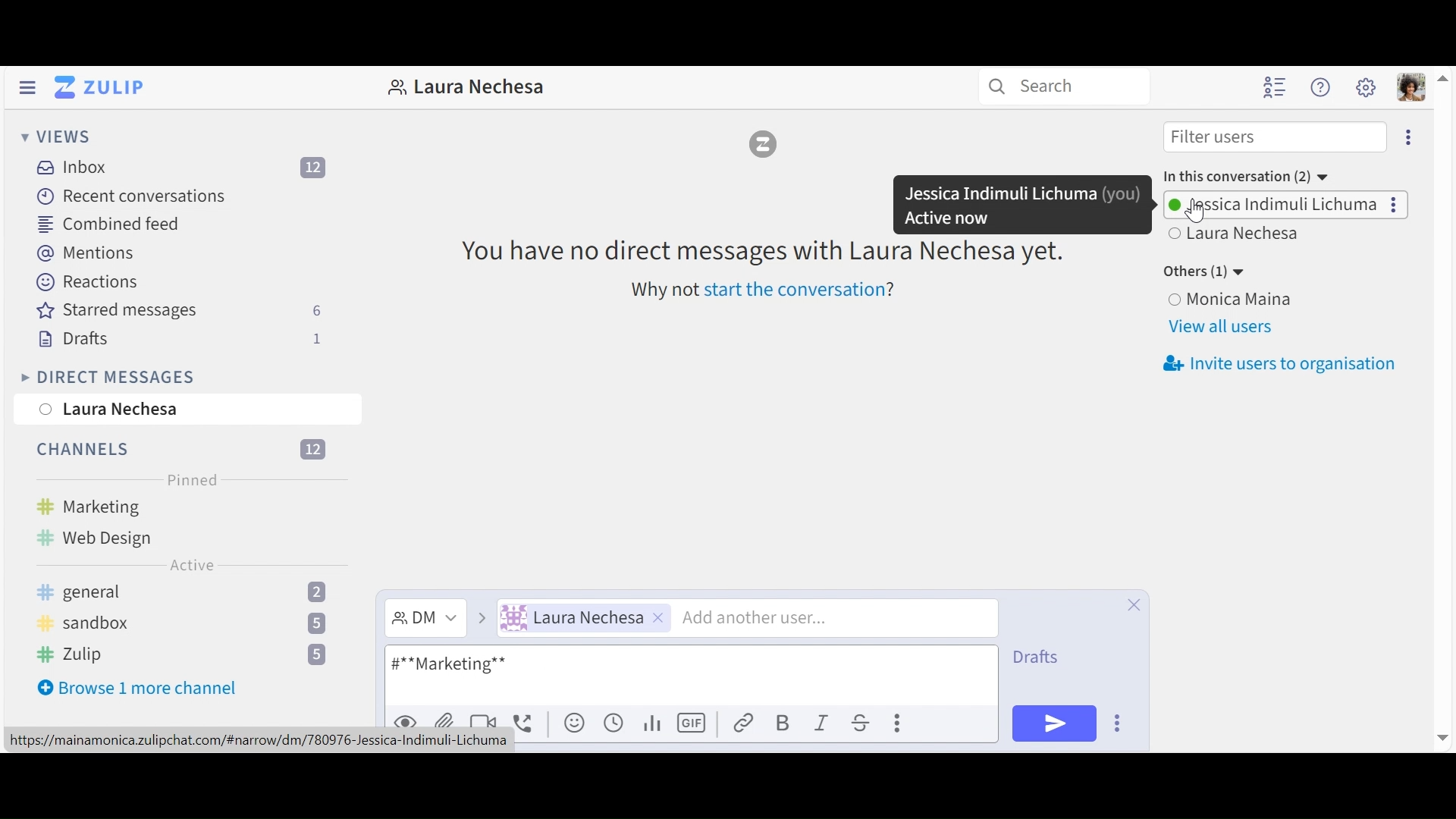  I want to click on Direct Messages, so click(106, 377).